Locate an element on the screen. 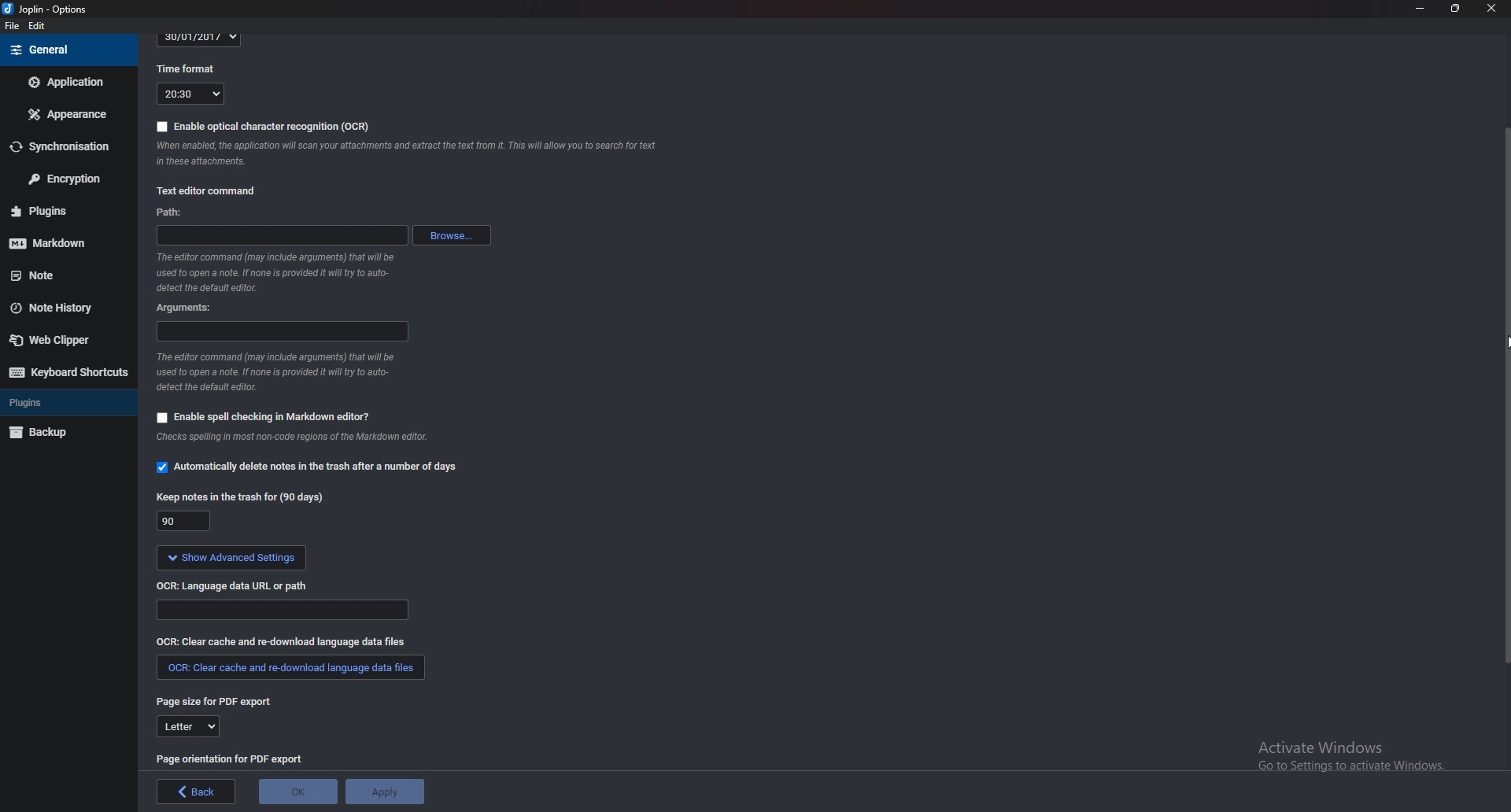  cursor is located at coordinates (1502, 345).